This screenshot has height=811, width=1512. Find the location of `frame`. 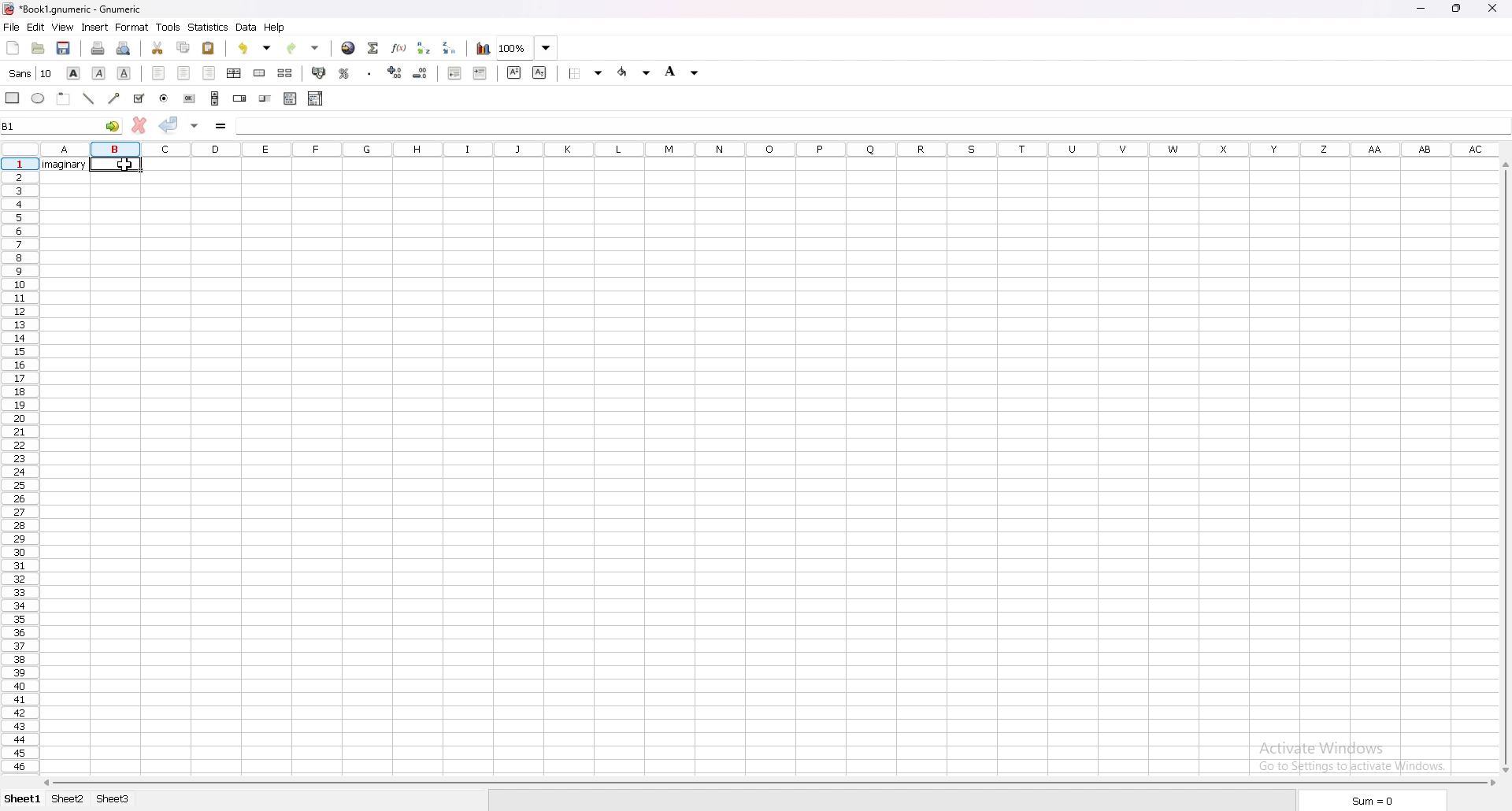

frame is located at coordinates (65, 98).